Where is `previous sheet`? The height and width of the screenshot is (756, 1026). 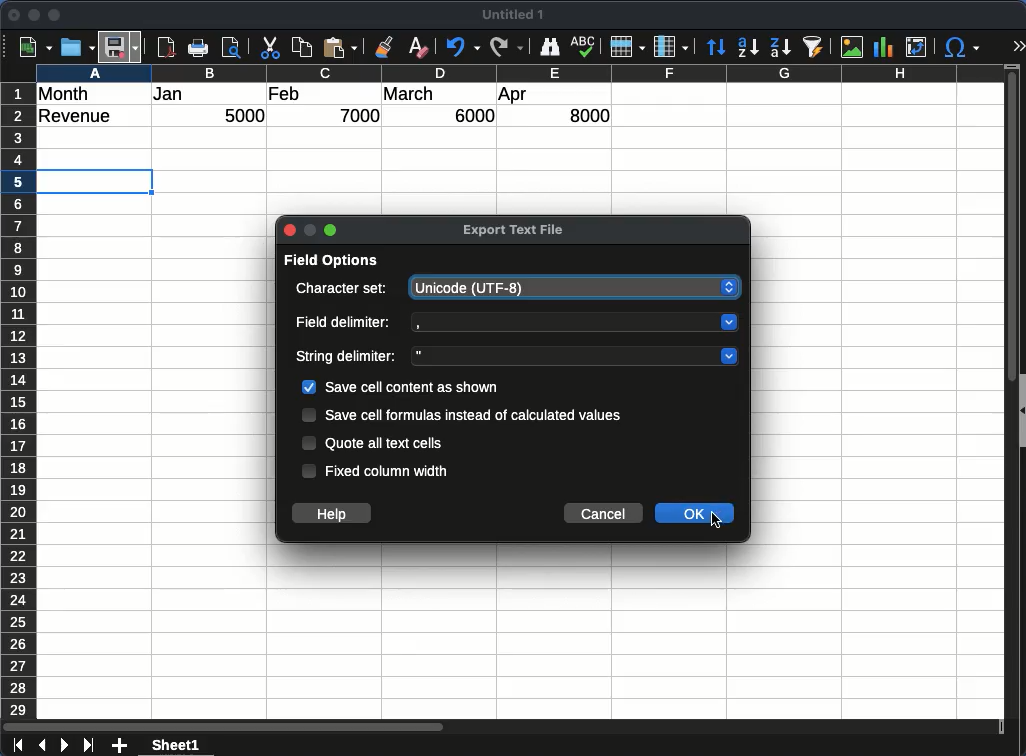
previous sheet is located at coordinates (40, 746).